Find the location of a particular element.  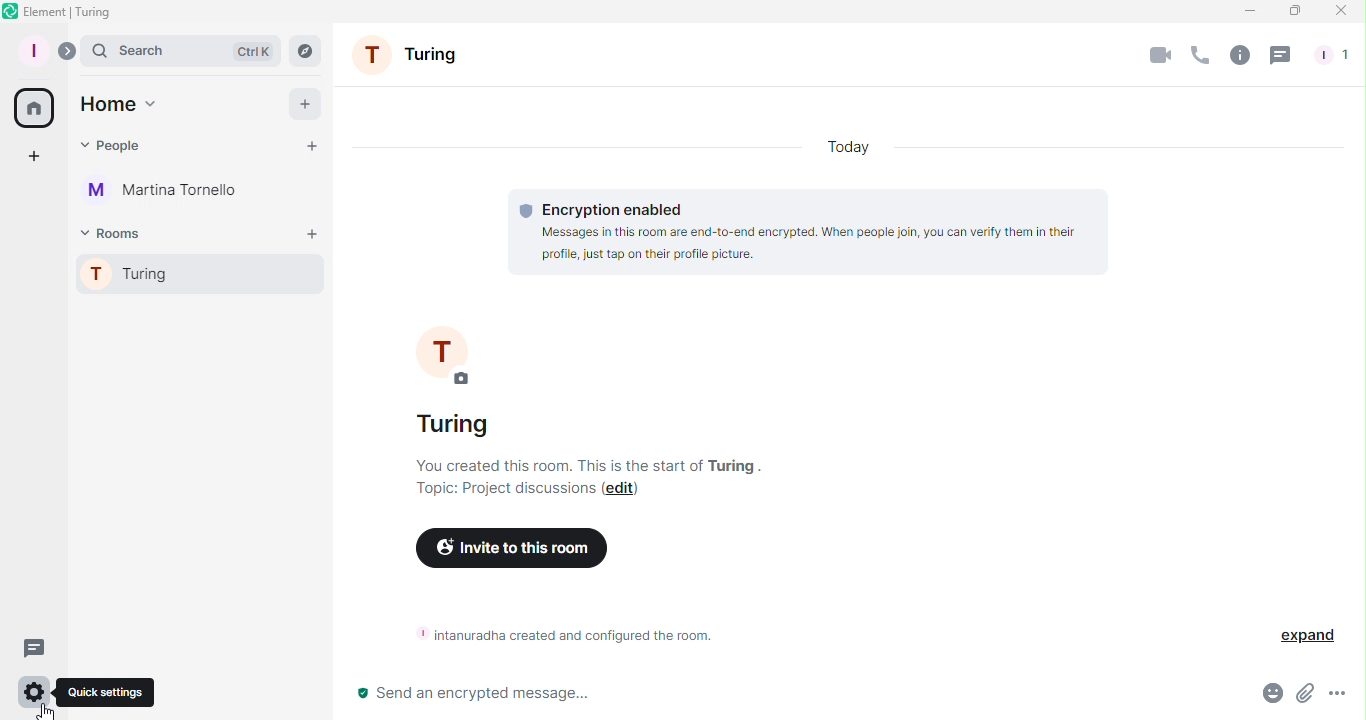

Home is located at coordinates (34, 108).